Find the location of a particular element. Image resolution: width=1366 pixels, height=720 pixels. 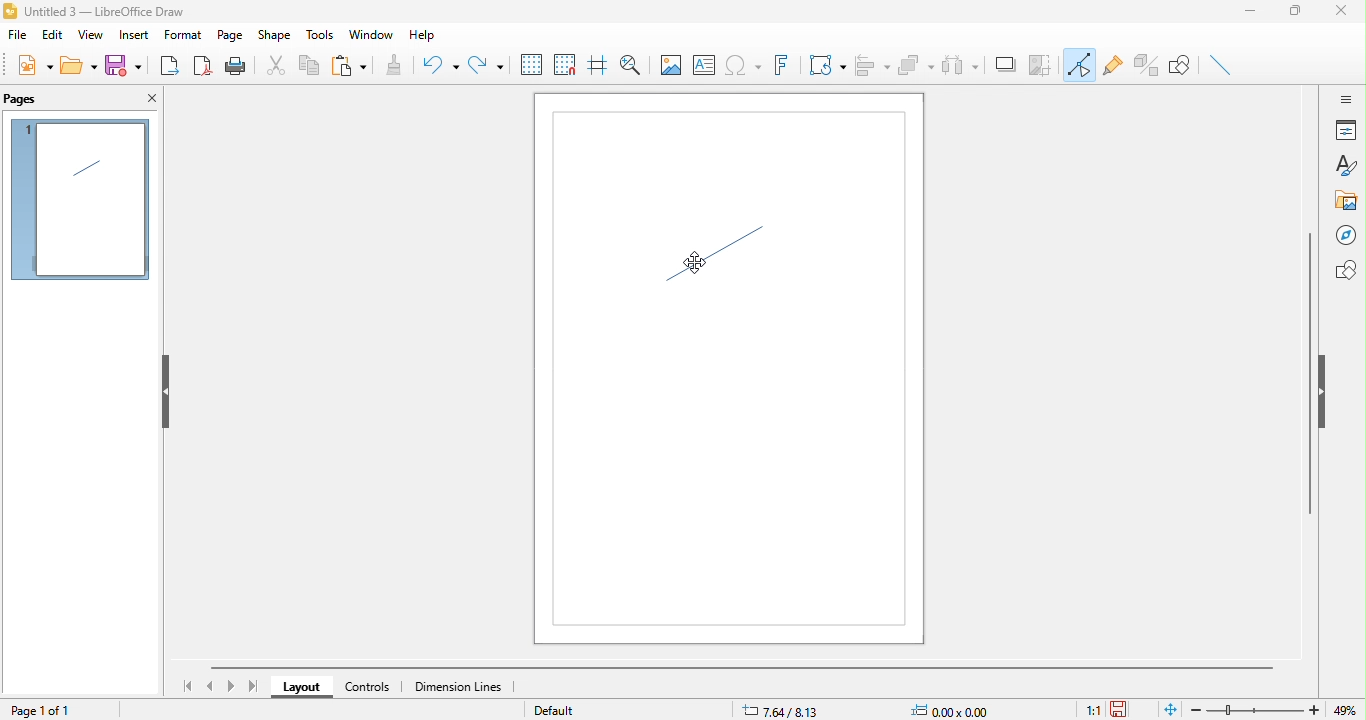

save is located at coordinates (125, 68).